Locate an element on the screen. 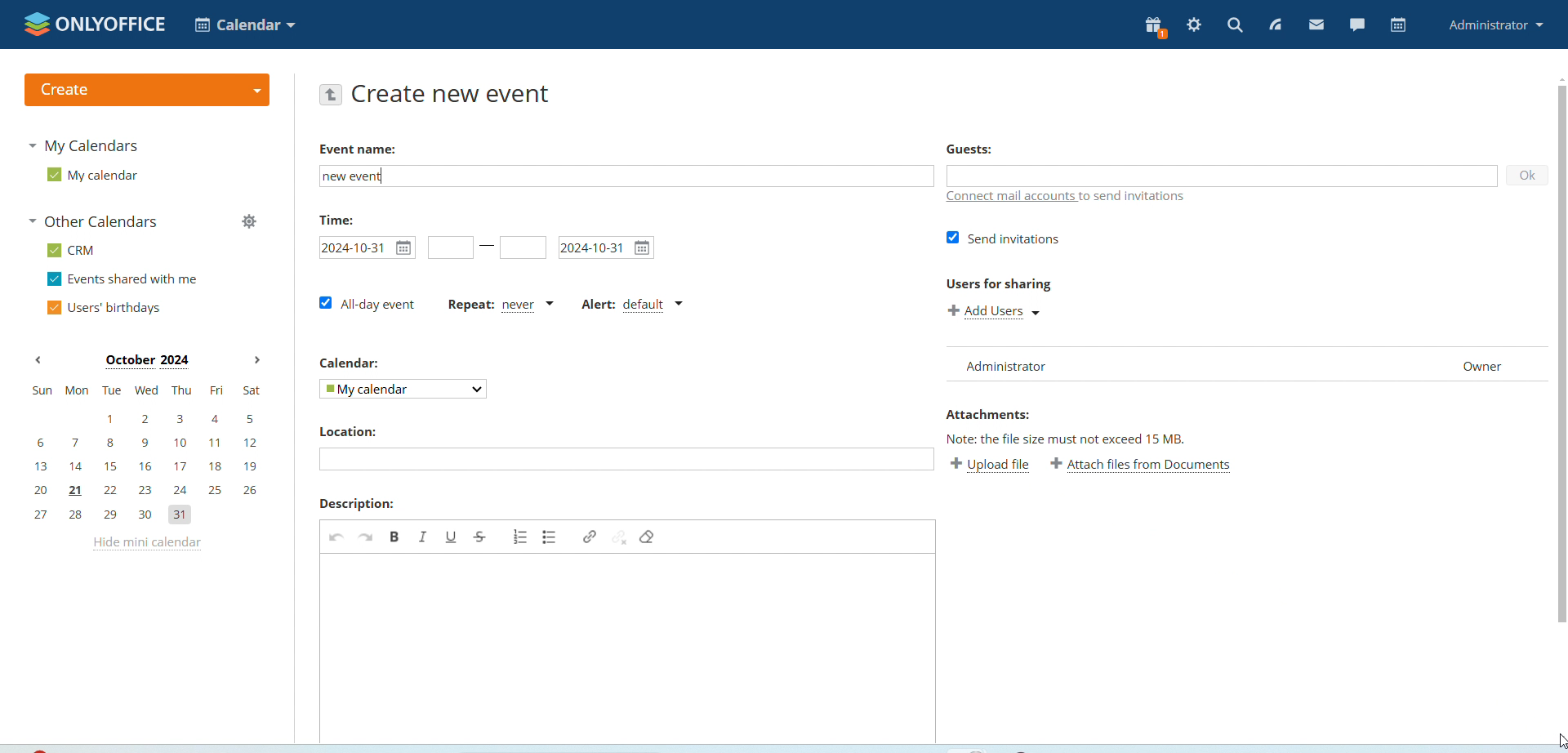 The image size is (1568, 753). underline is located at coordinates (450, 538).